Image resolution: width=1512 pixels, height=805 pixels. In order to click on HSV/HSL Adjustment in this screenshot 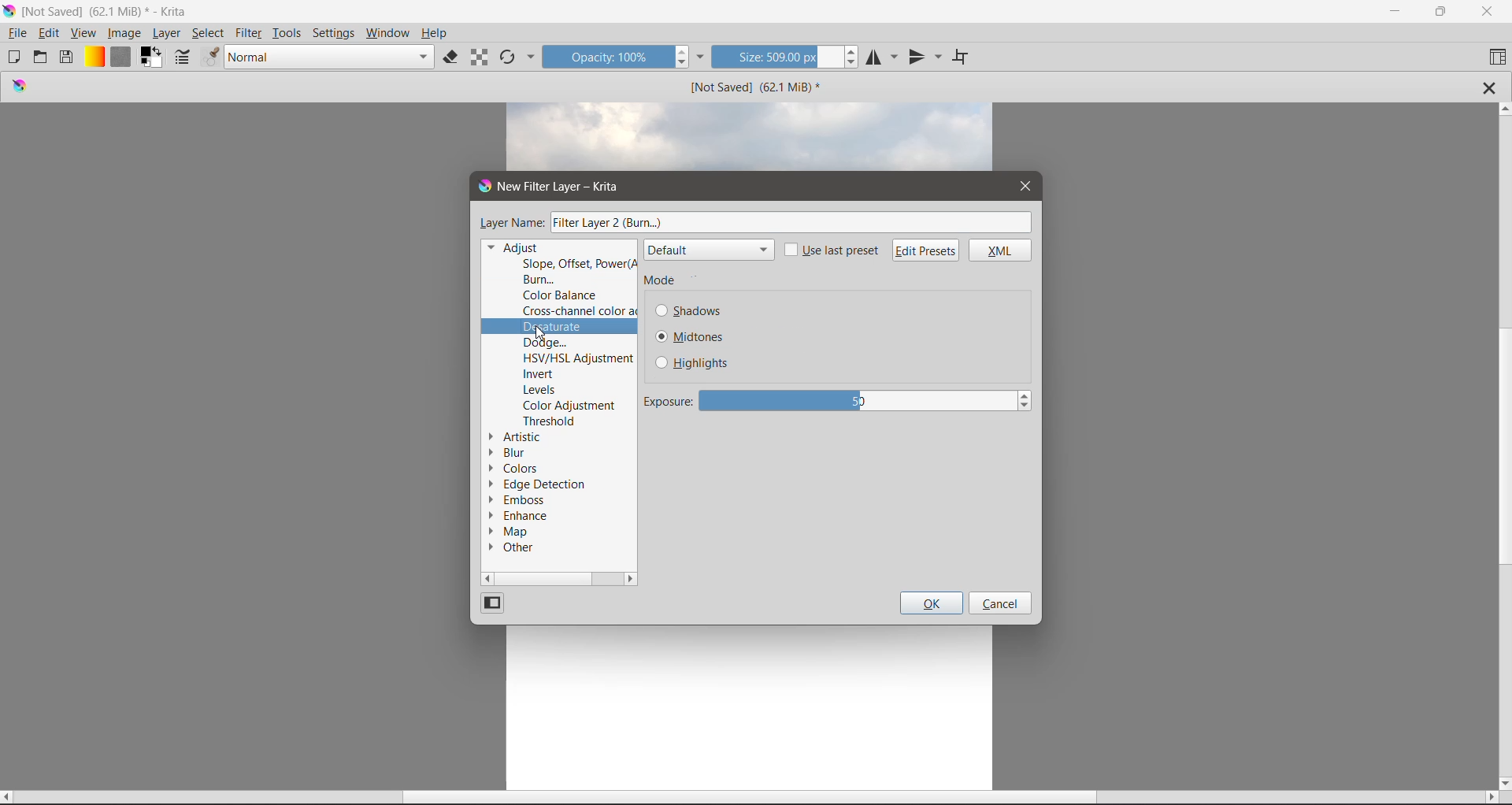, I will do `click(578, 359)`.